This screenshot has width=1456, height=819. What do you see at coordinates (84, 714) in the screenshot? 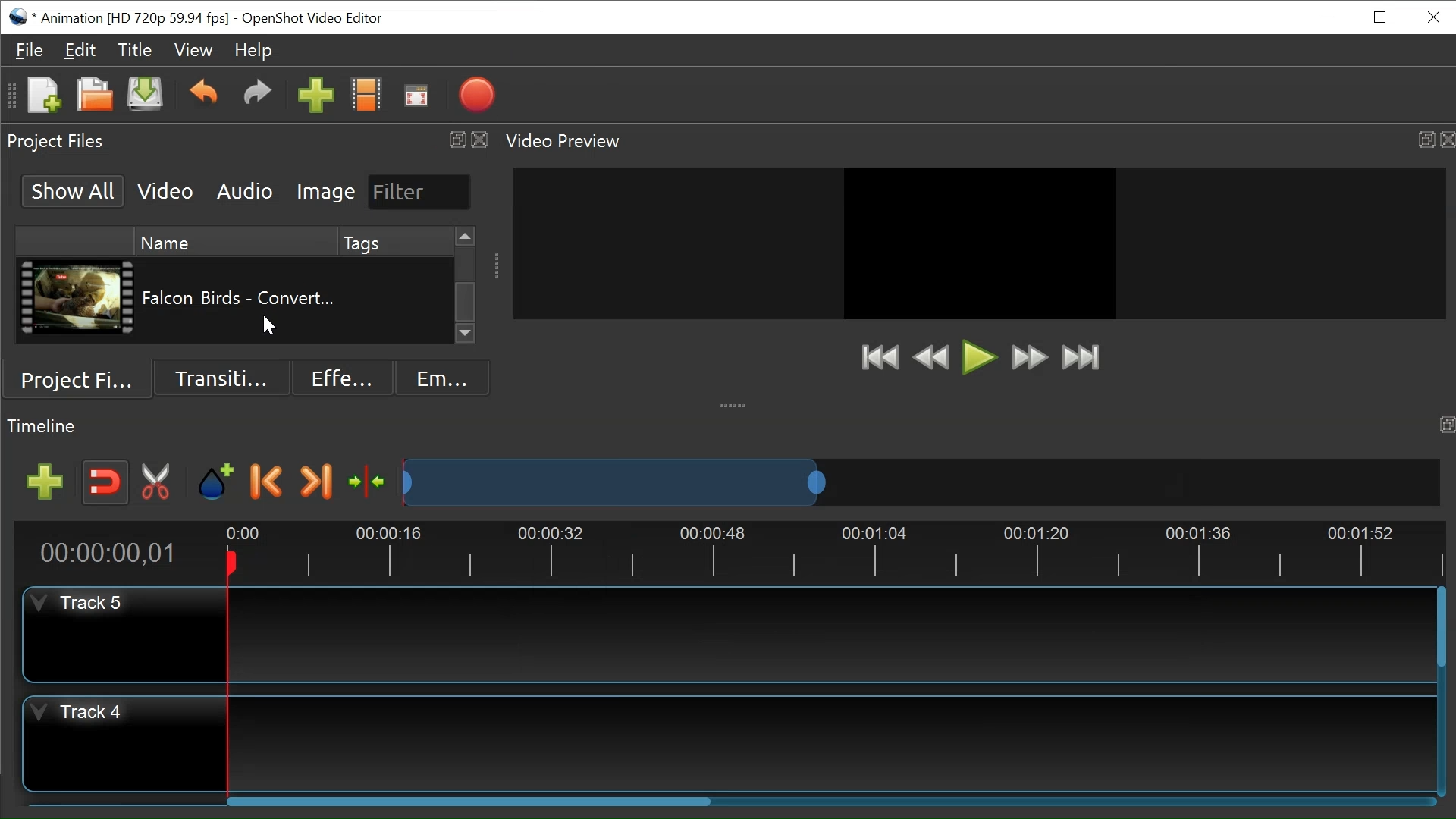
I see `Track Header` at bounding box center [84, 714].